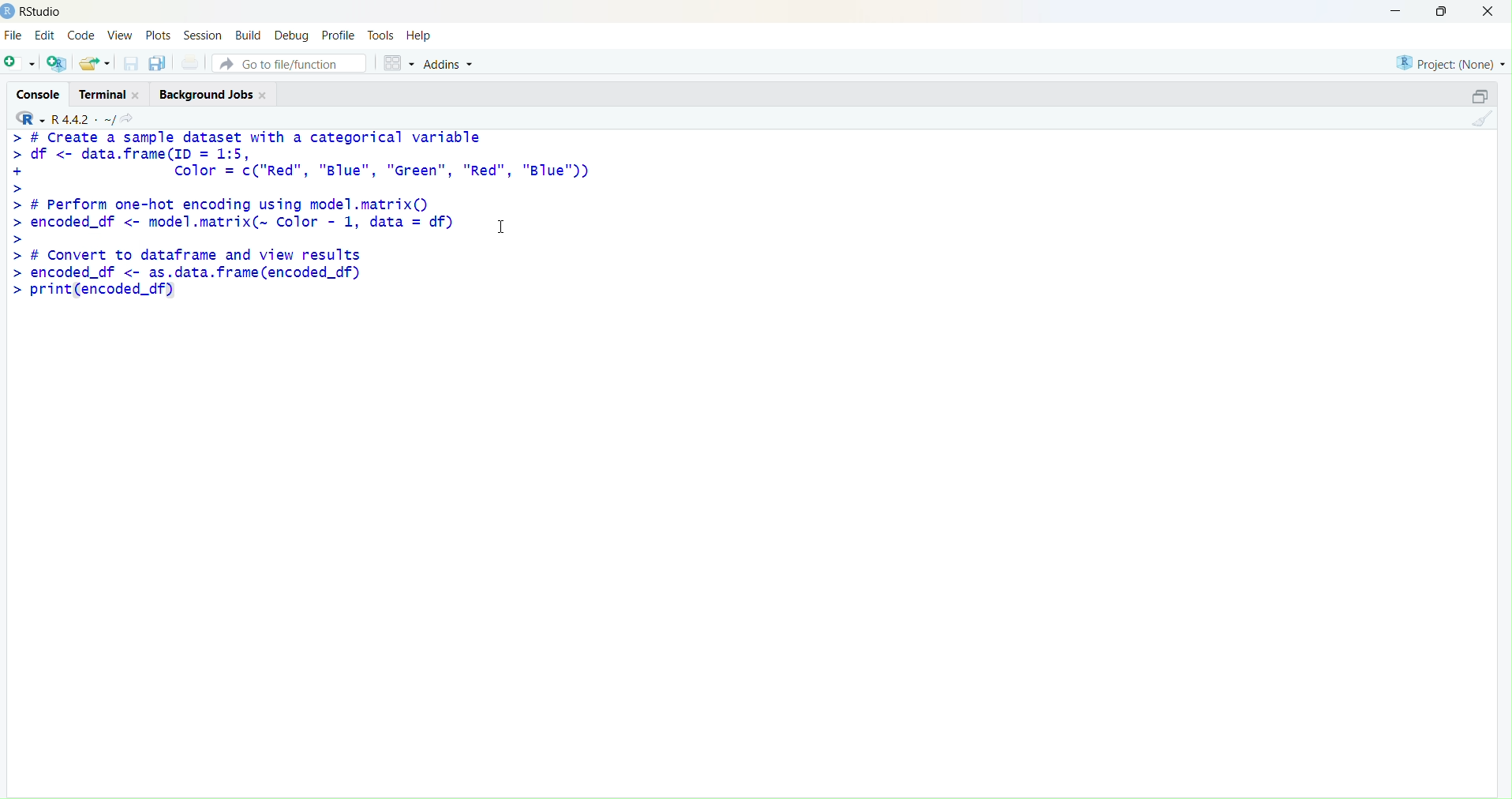 Image resolution: width=1512 pixels, height=799 pixels. What do you see at coordinates (22, 63) in the screenshot?
I see `add file as` at bounding box center [22, 63].